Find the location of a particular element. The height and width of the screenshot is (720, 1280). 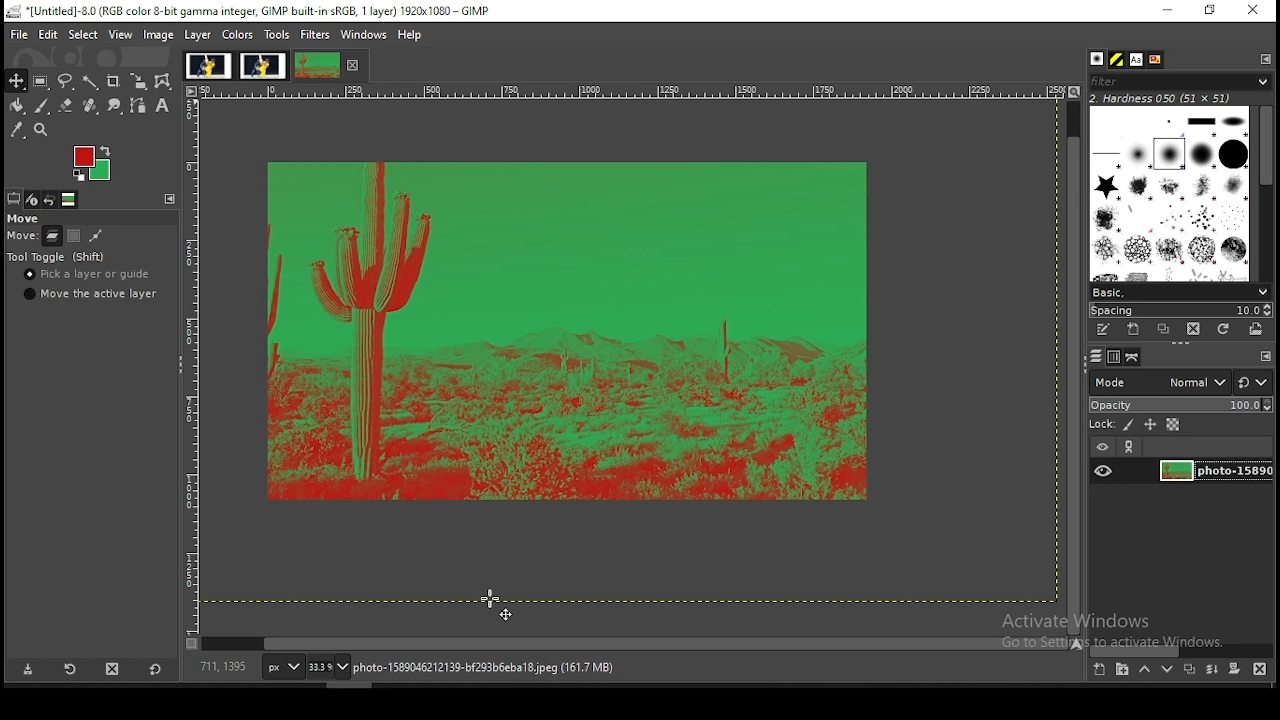

scroll bar is located at coordinates (1266, 191).